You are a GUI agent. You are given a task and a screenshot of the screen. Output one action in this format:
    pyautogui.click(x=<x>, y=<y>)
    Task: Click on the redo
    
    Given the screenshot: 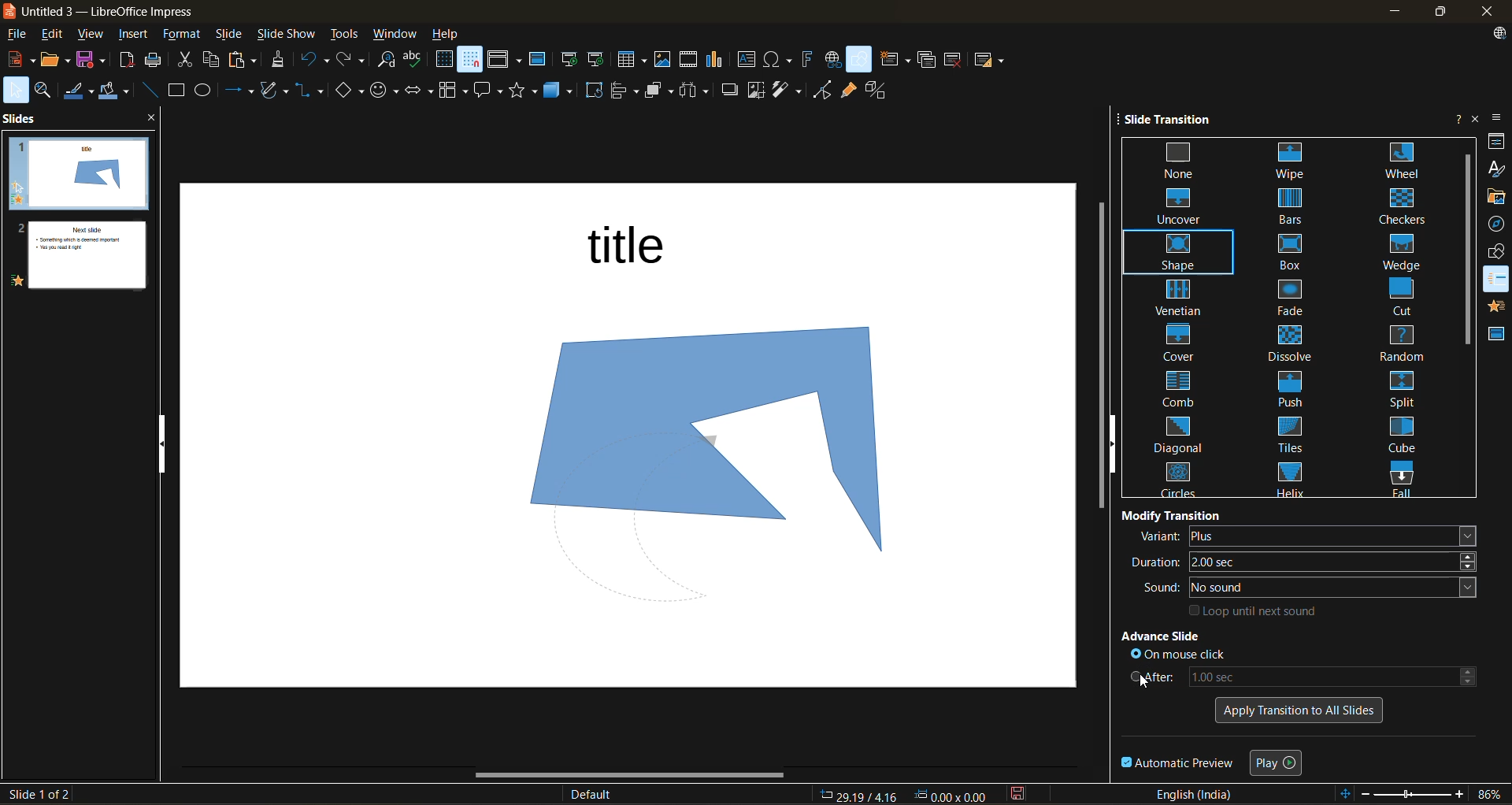 What is the action you would take?
    pyautogui.click(x=354, y=61)
    